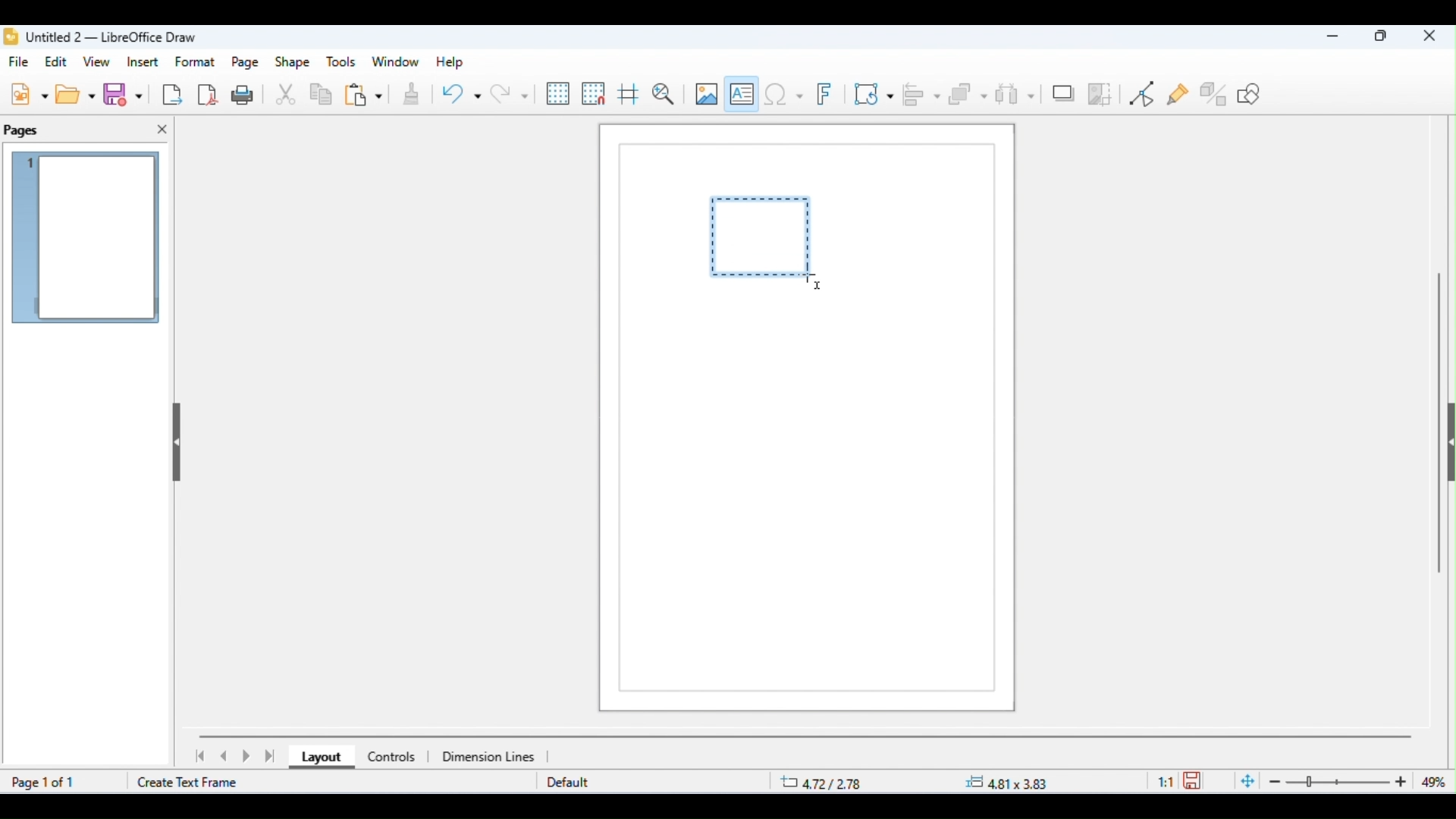  What do you see at coordinates (341, 62) in the screenshot?
I see `tools` at bounding box center [341, 62].